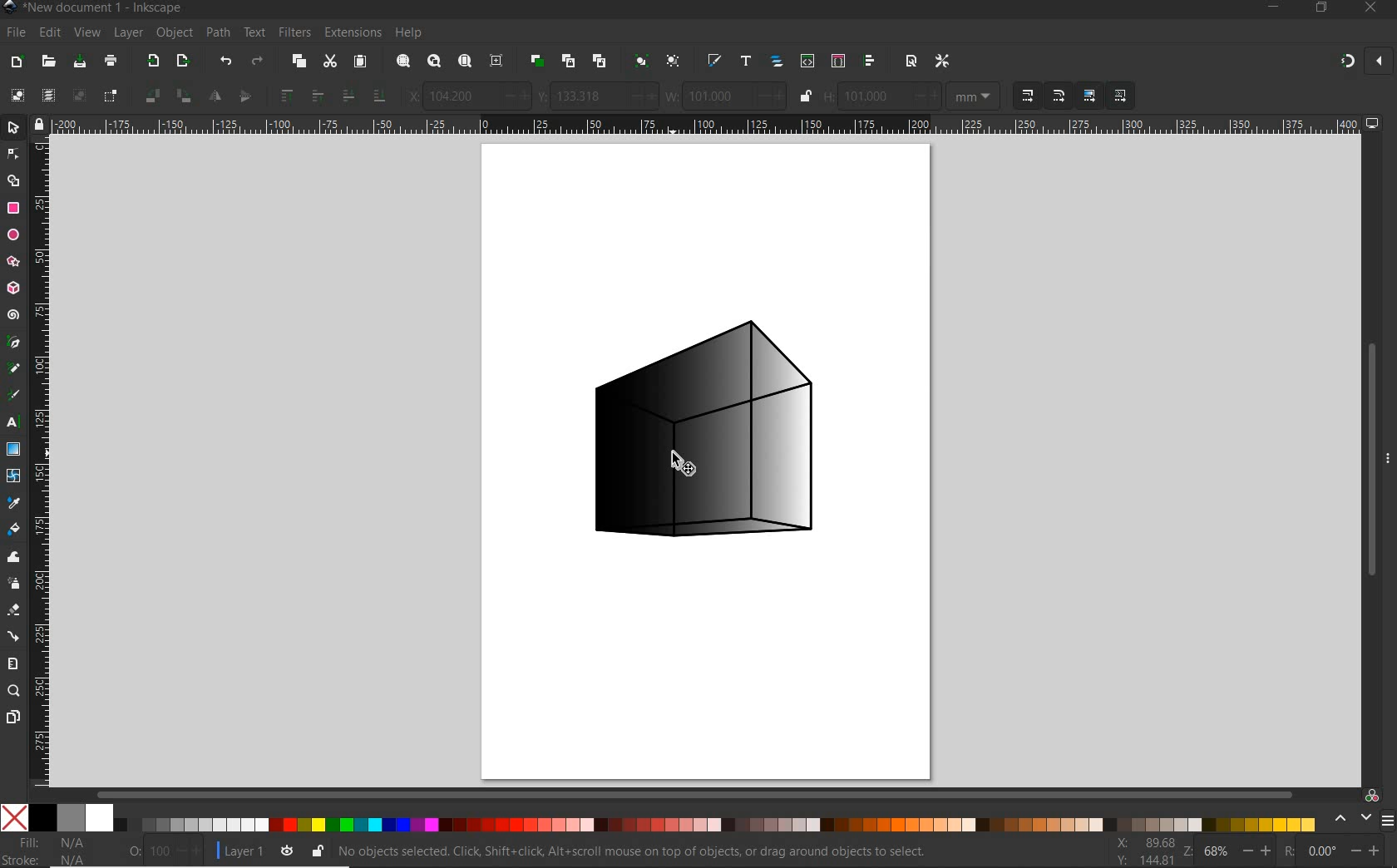 The width and height of the screenshot is (1397, 868). What do you see at coordinates (105, 8) in the screenshot?
I see `title` at bounding box center [105, 8].